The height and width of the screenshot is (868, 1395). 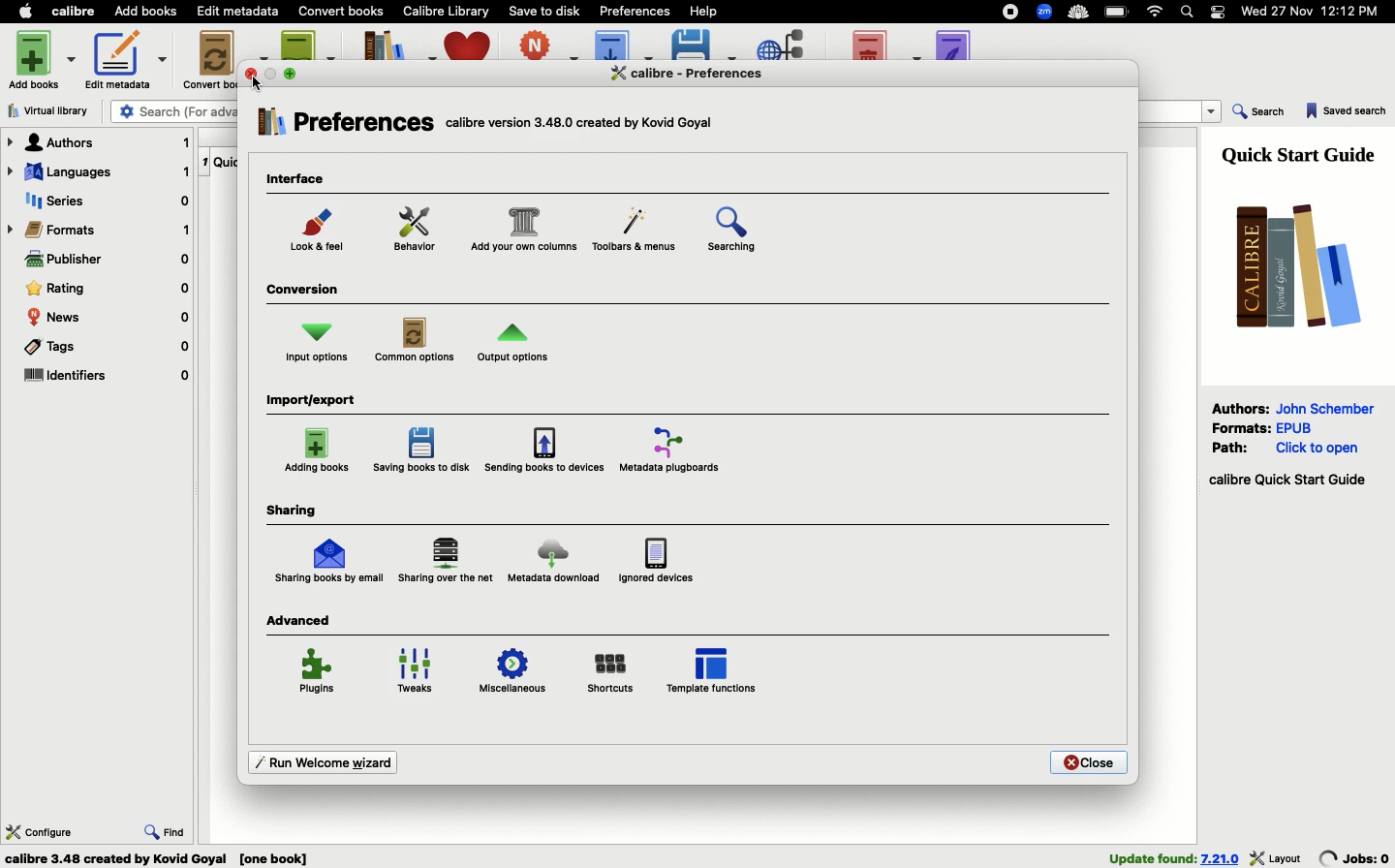 I want to click on Start guide, so click(x=1286, y=480).